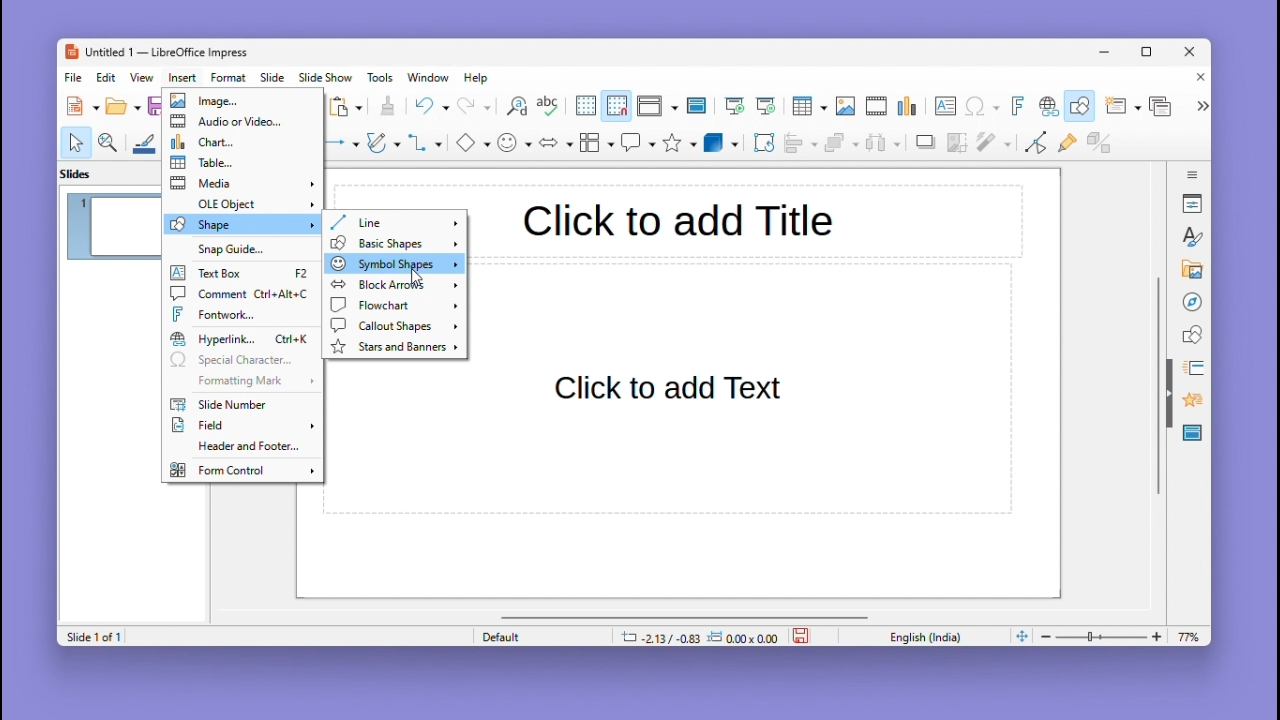 The height and width of the screenshot is (720, 1280). Describe the element at coordinates (1194, 236) in the screenshot. I see `Styles` at that location.